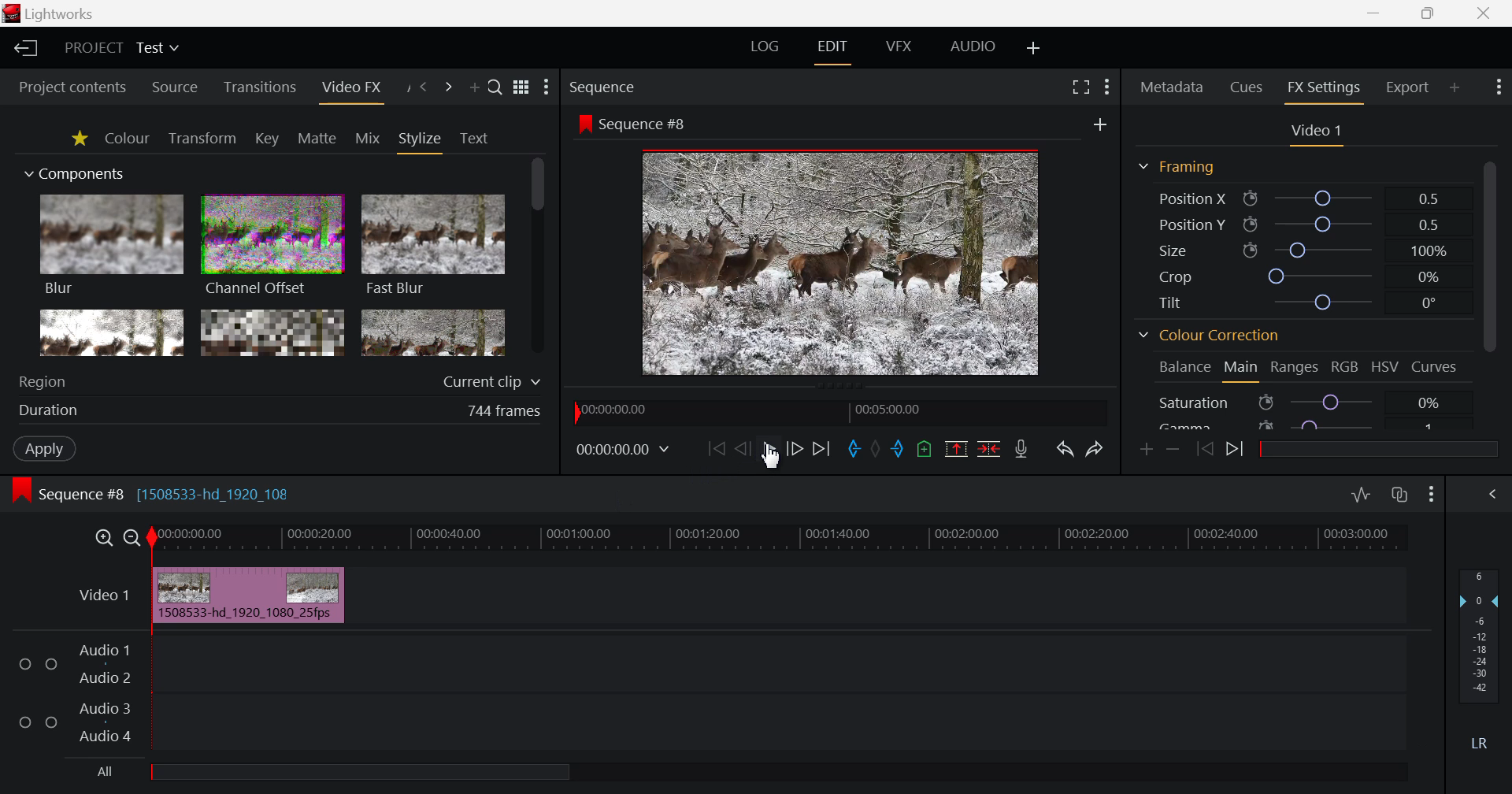  Describe the element at coordinates (368, 138) in the screenshot. I see `Mix` at that location.